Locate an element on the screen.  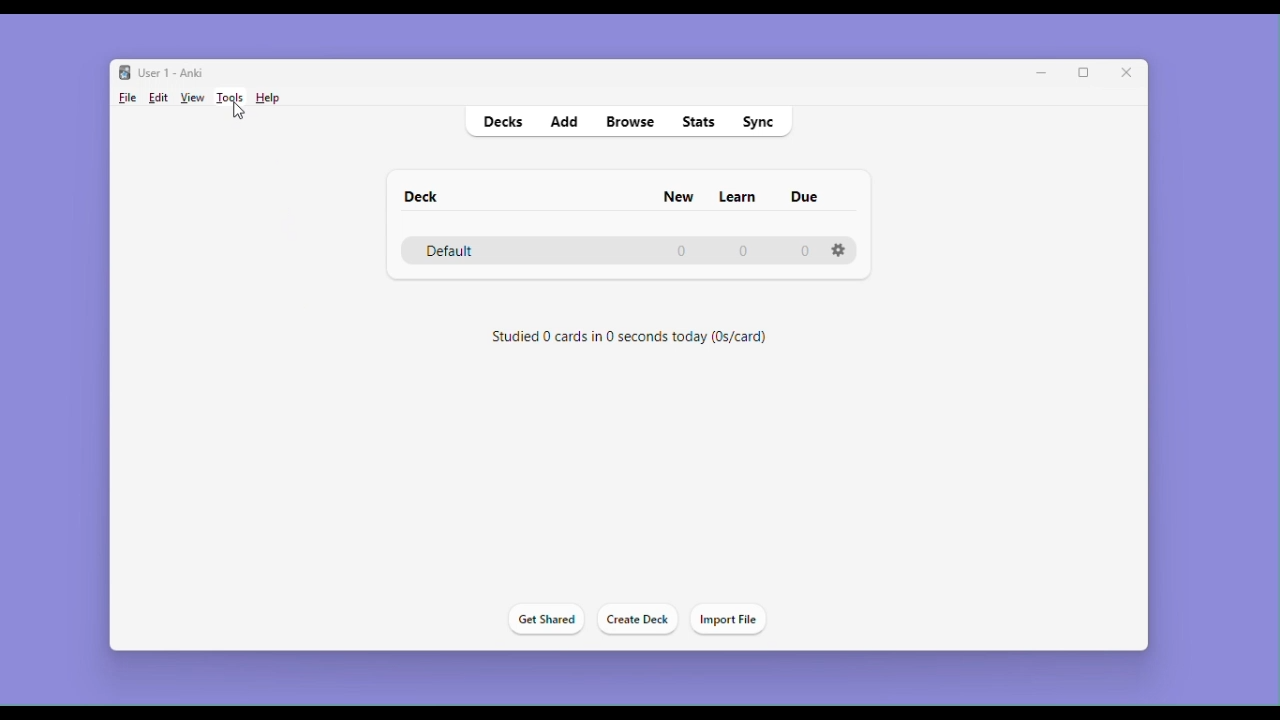
0 is located at coordinates (744, 250).